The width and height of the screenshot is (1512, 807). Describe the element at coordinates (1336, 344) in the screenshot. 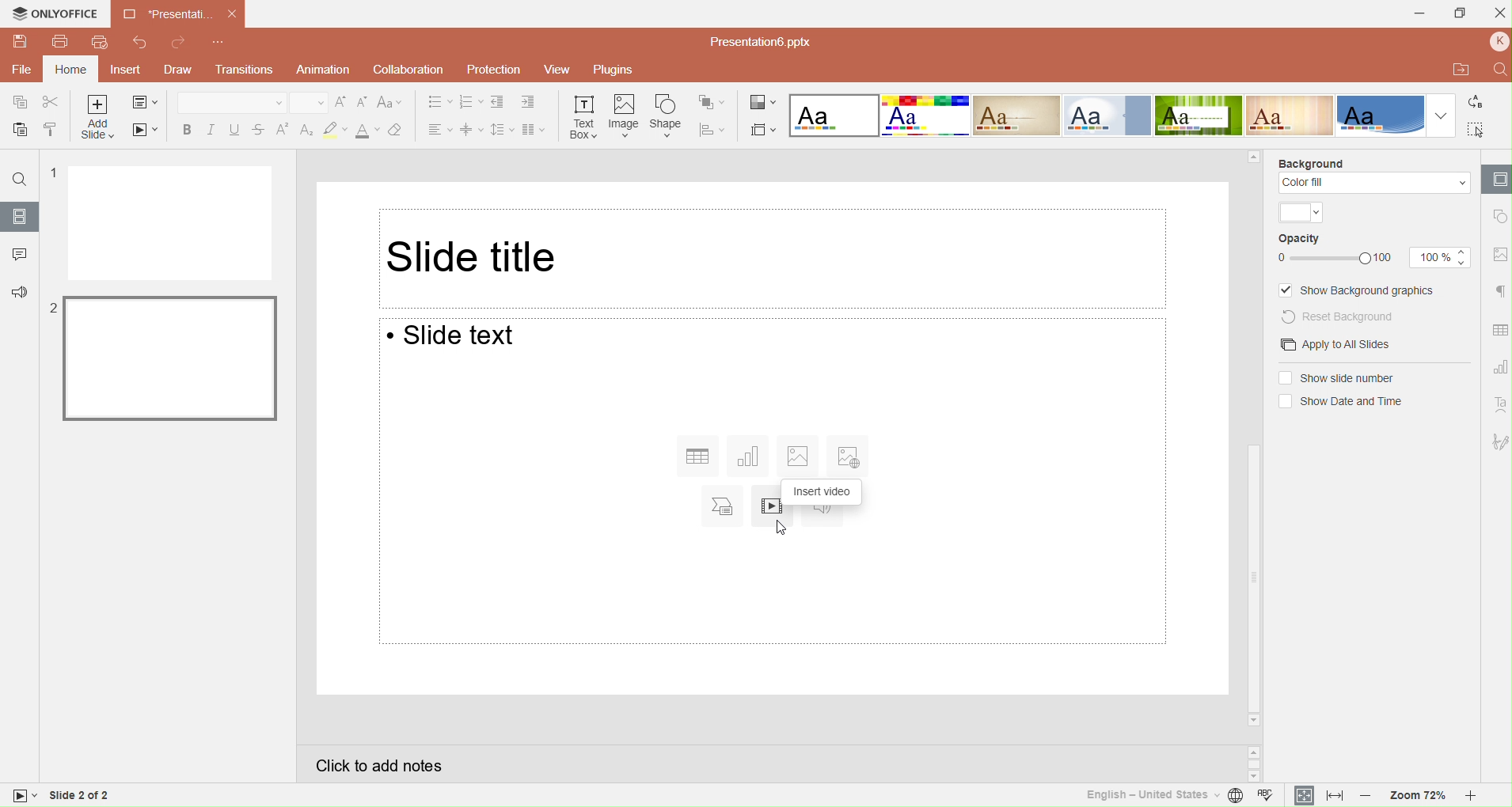

I see `Apply to all slides` at that location.